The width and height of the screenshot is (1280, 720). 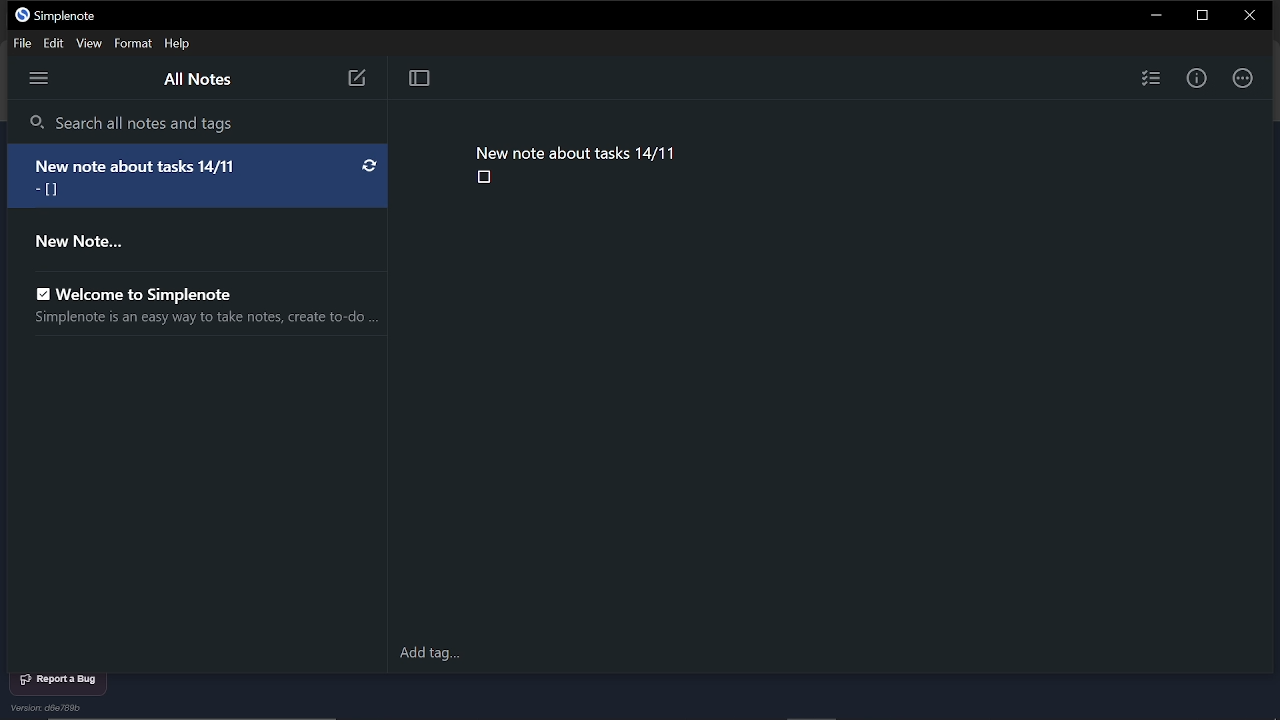 I want to click on Actions, so click(x=1242, y=77).